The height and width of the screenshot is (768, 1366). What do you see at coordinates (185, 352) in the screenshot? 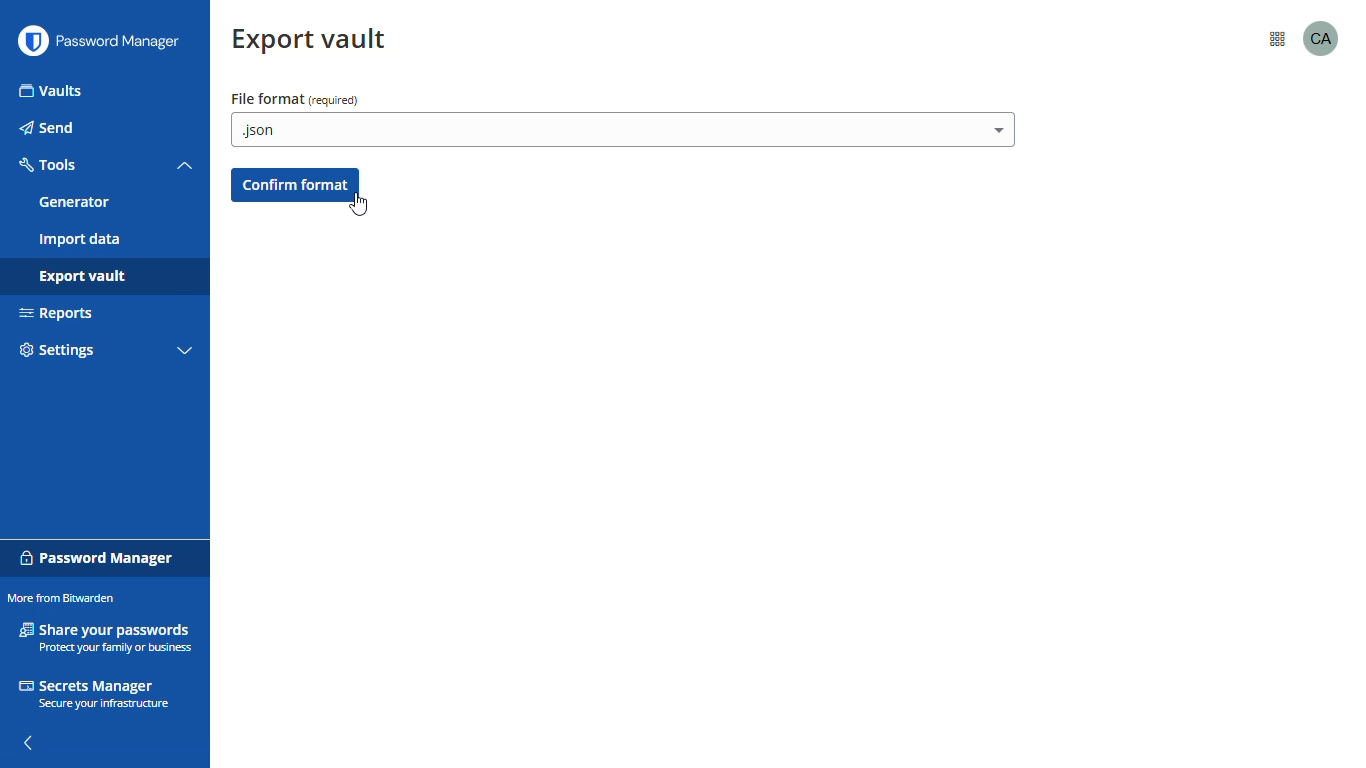
I see `toggle collapse` at bounding box center [185, 352].